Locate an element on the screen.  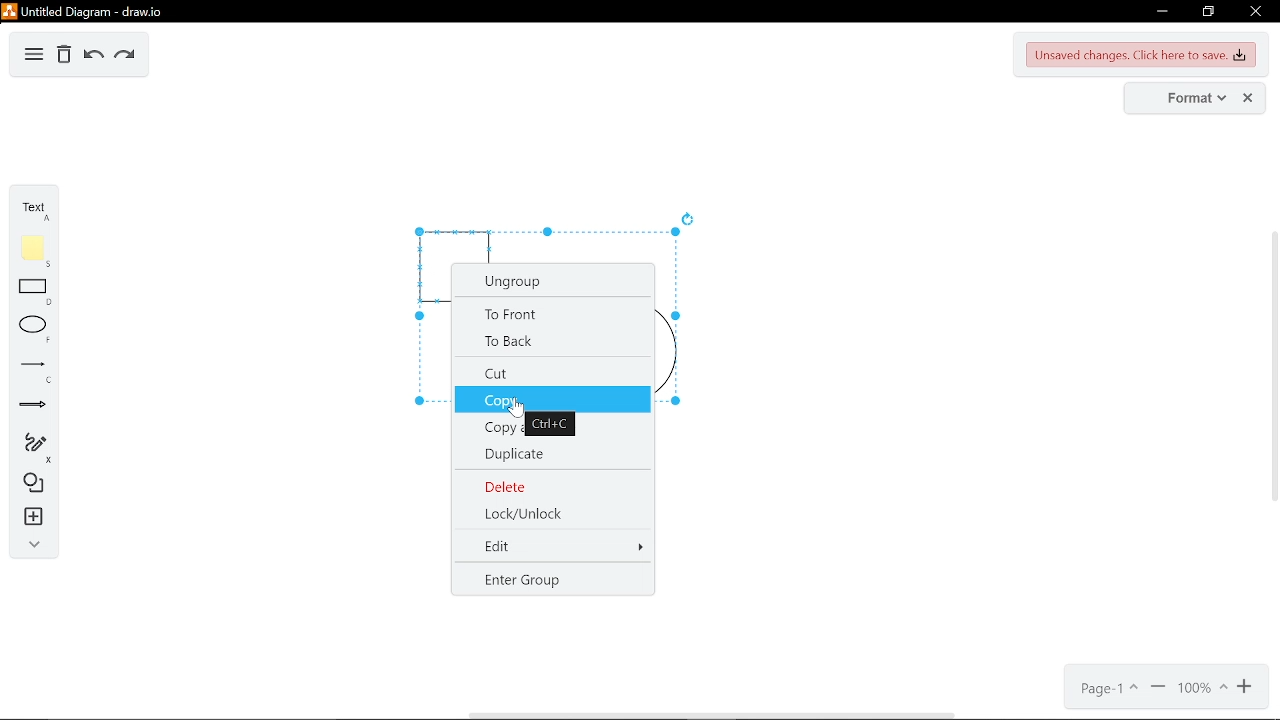
untitled diagram - draw.io is located at coordinates (84, 10).